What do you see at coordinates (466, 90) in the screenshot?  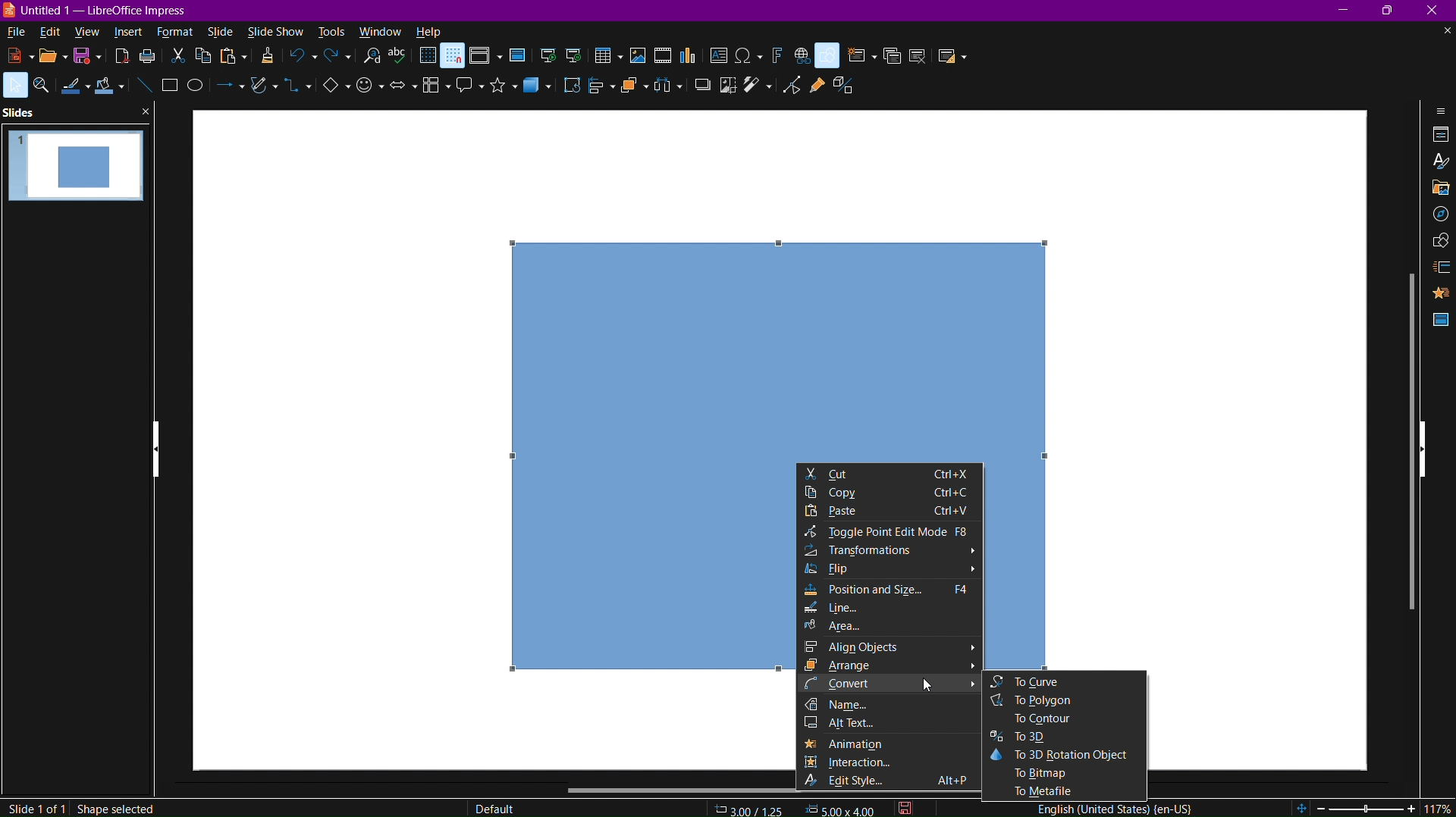 I see `Callout Shapes` at bounding box center [466, 90].